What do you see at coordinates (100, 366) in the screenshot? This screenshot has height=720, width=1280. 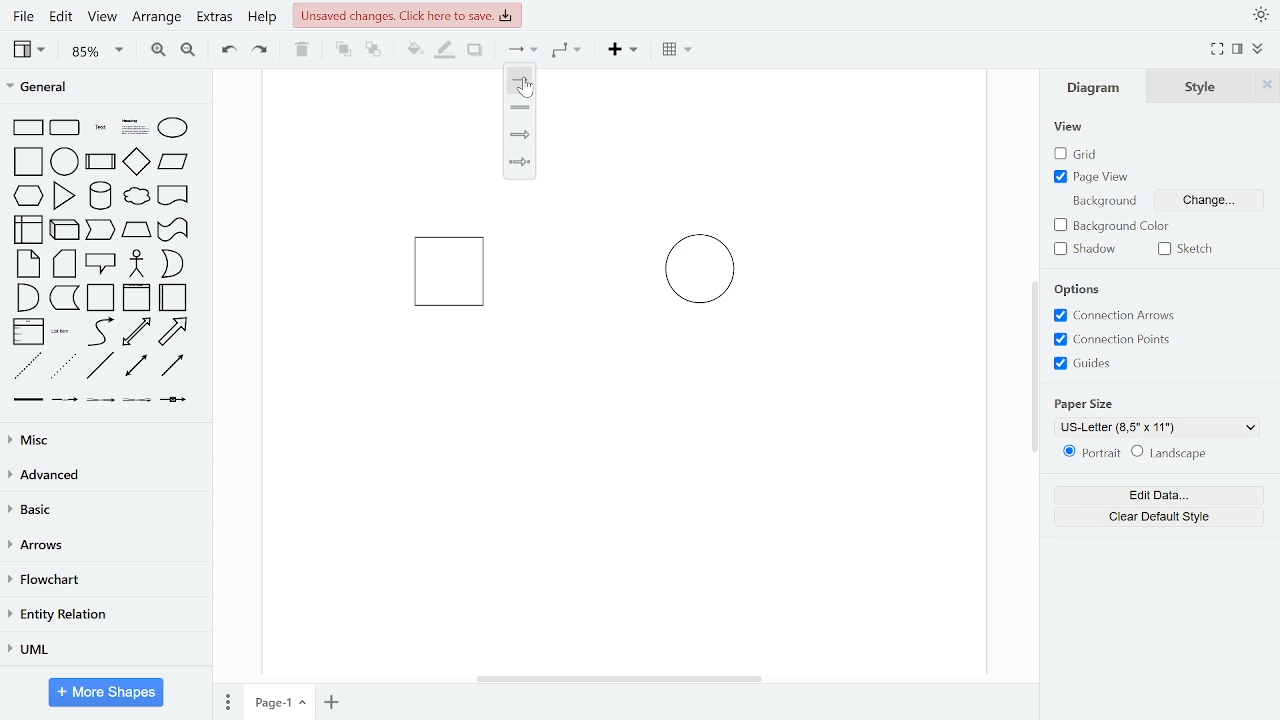 I see `line` at bounding box center [100, 366].